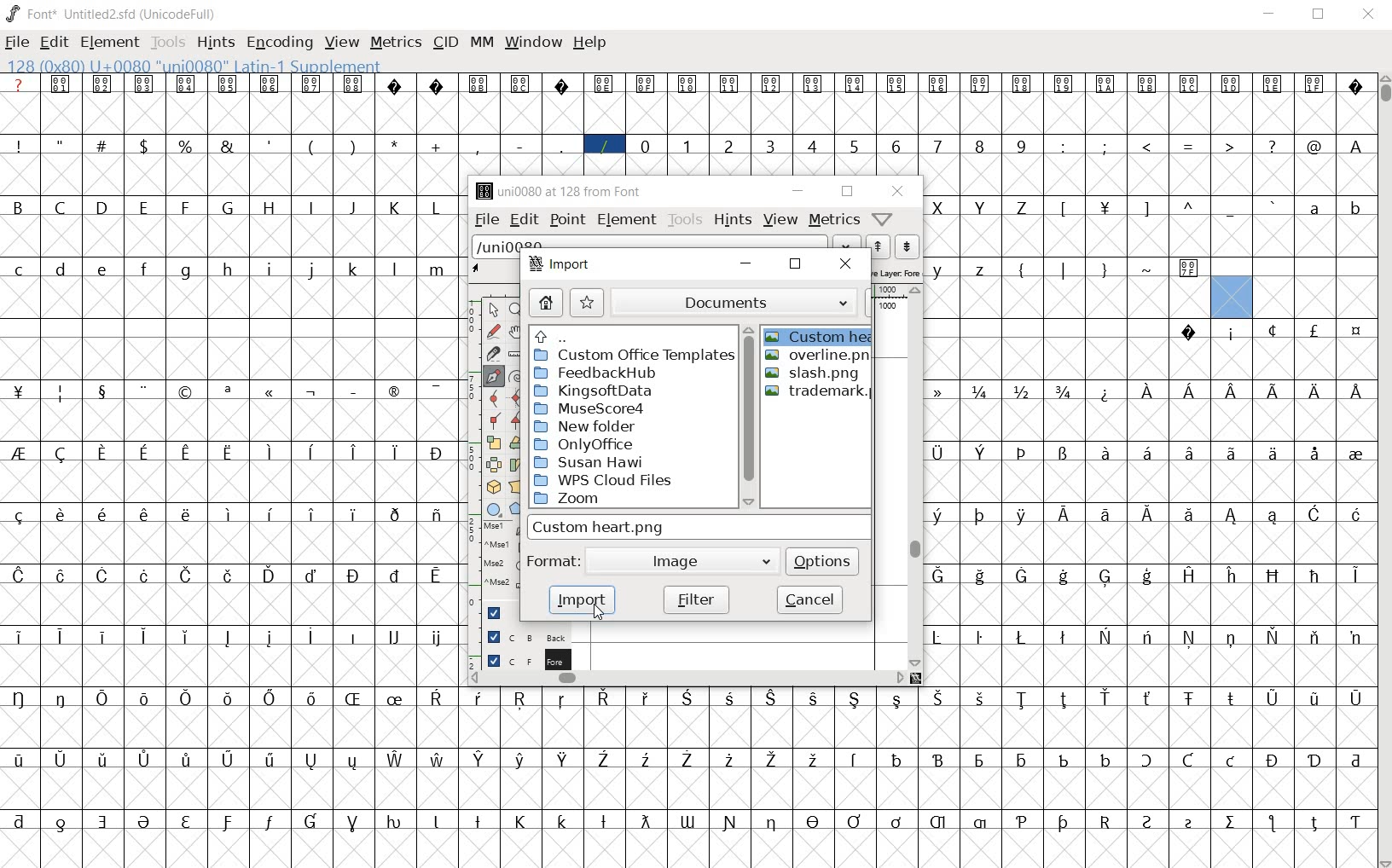 The image size is (1392, 868). Describe the element at coordinates (271, 393) in the screenshot. I see `glyph` at that location.